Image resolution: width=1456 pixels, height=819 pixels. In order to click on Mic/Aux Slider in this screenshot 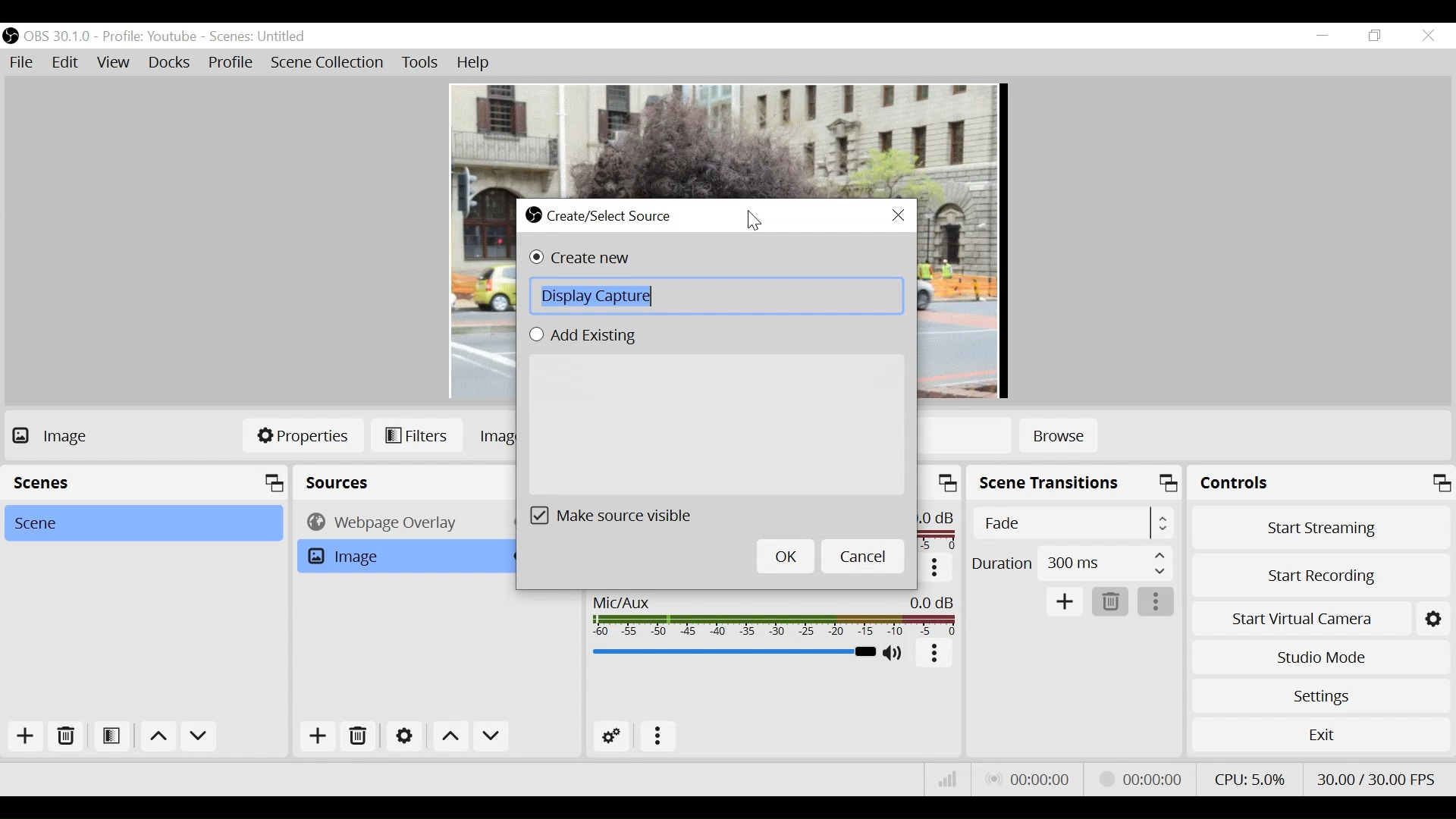, I will do `click(732, 651)`.